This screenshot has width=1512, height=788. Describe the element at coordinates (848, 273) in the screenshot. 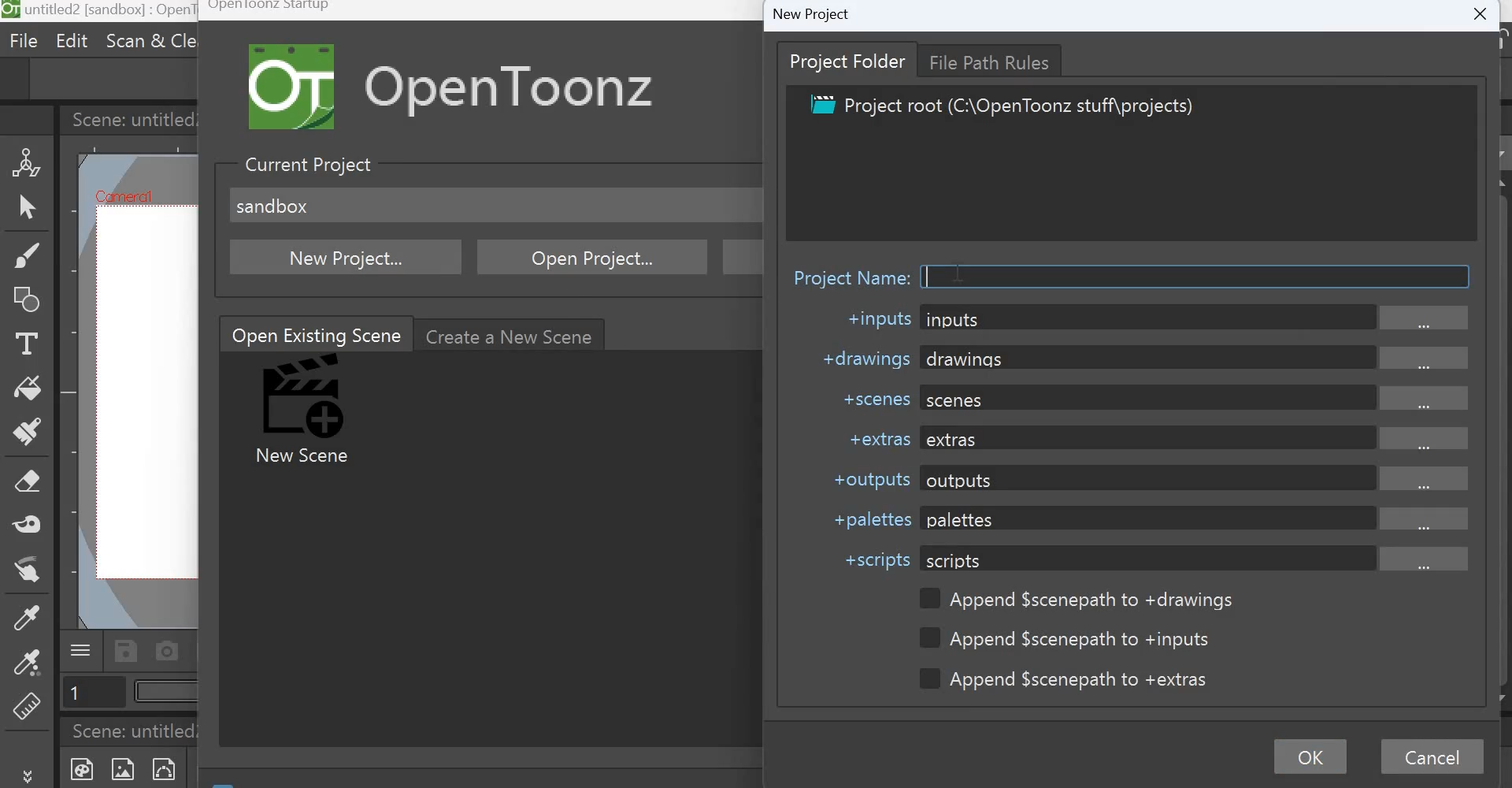

I see `Project name` at that location.